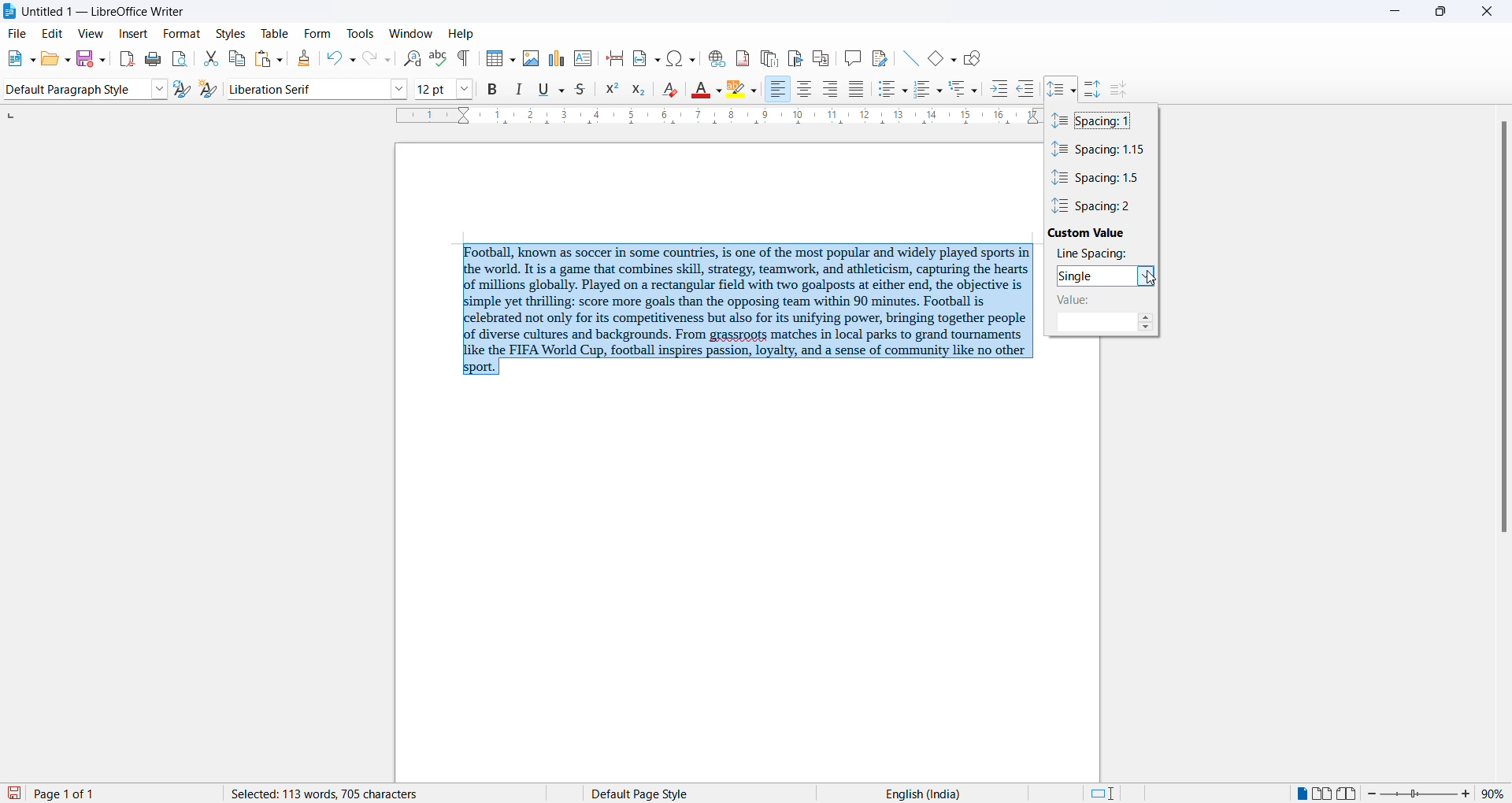 This screenshot has height=803, width=1512. What do you see at coordinates (1440, 13) in the screenshot?
I see `maximize` at bounding box center [1440, 13].